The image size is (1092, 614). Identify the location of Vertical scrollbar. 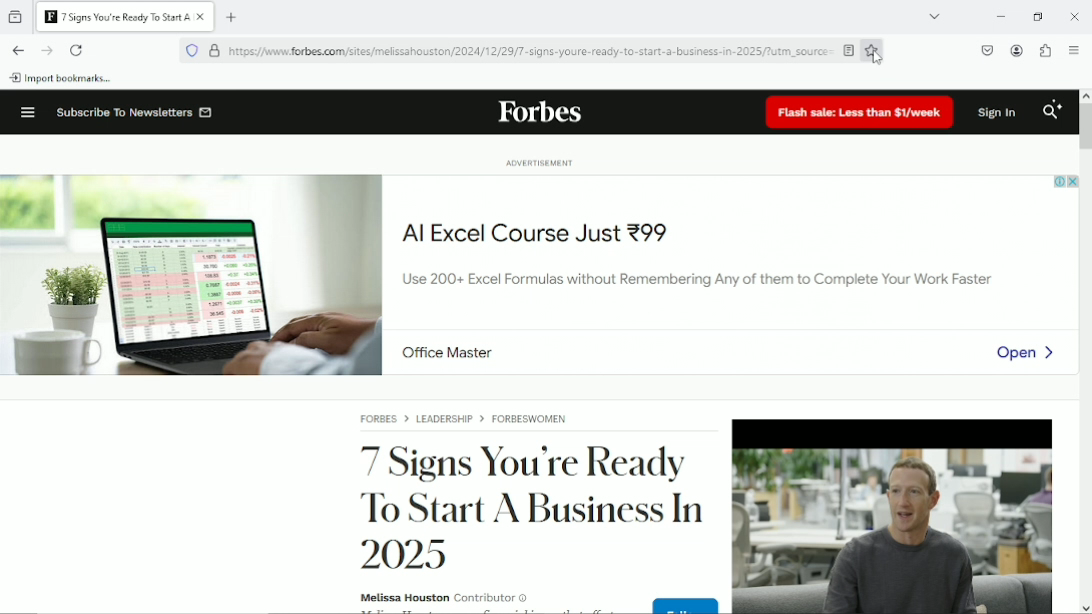
(1085, 114).